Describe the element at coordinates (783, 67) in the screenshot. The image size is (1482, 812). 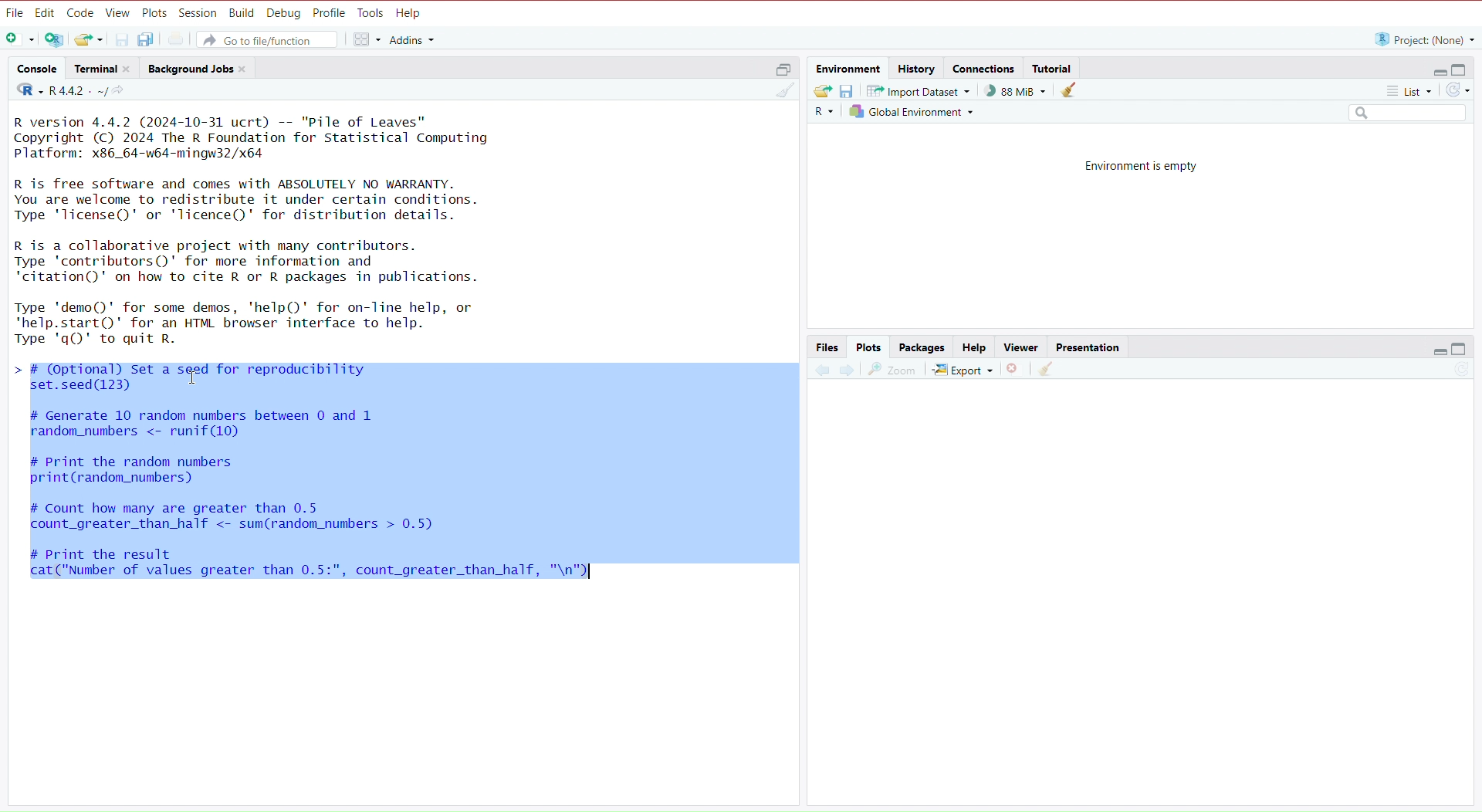
I see `Half height` at that location.